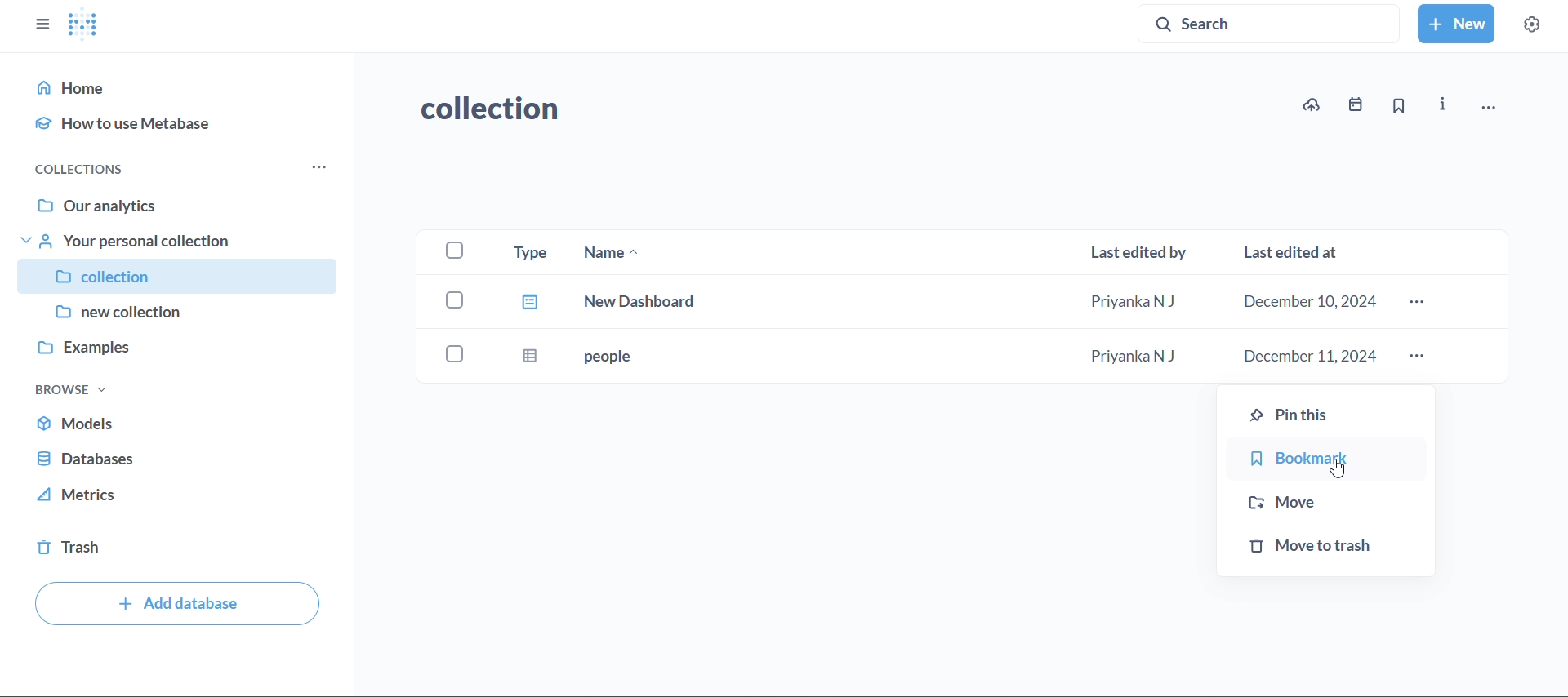 This screenshot has width=1568, height=697. Describe the element at coordinates (619, 252) in the screenshot. I see `name` at that location.